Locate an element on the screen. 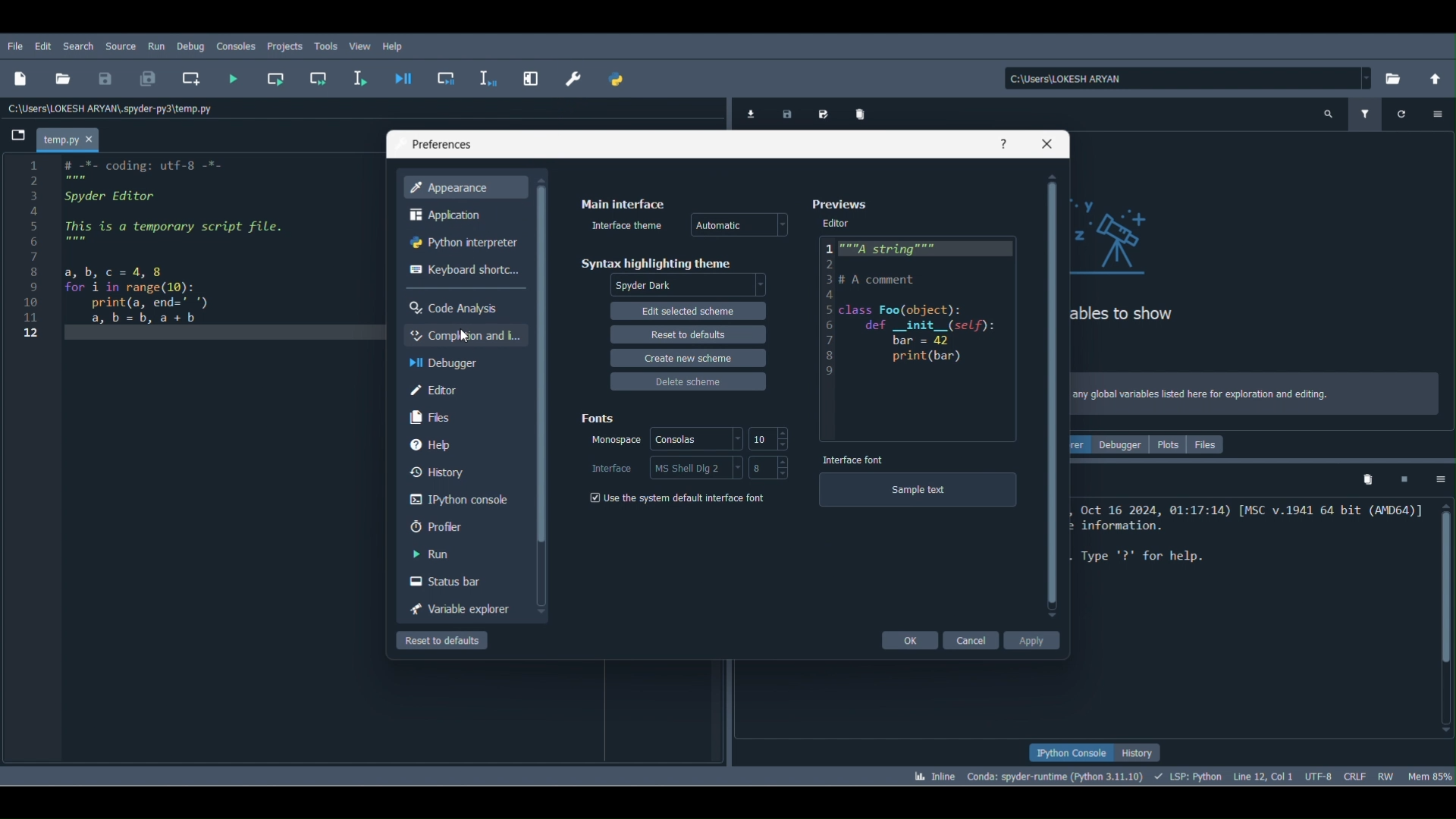 Image resolution: width=1456 pixels, height=819 pixels. Refresh variables is located at coordinates (1403, 114).